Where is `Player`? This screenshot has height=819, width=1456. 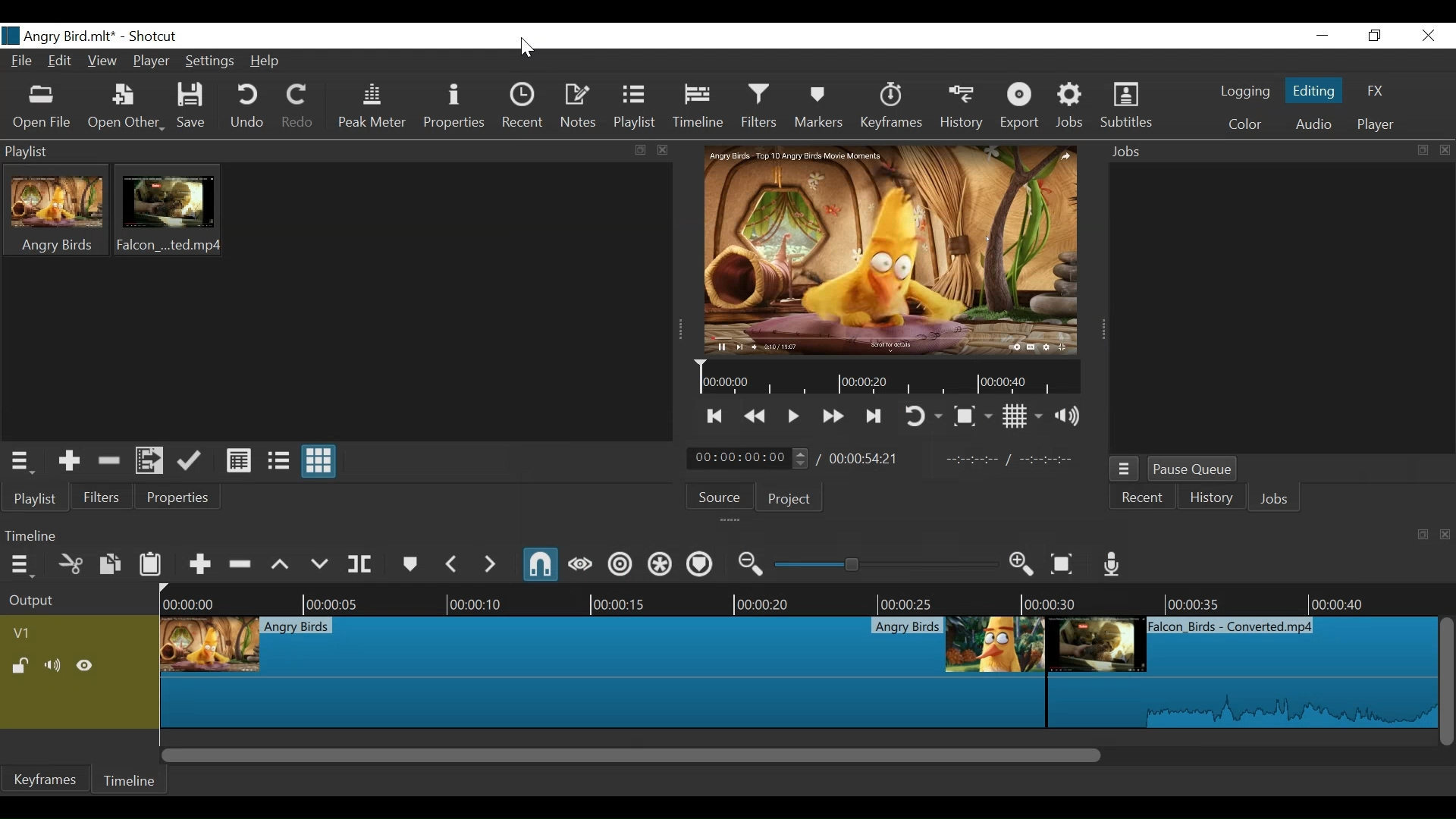
Player is located at coordinates (1378, 124).